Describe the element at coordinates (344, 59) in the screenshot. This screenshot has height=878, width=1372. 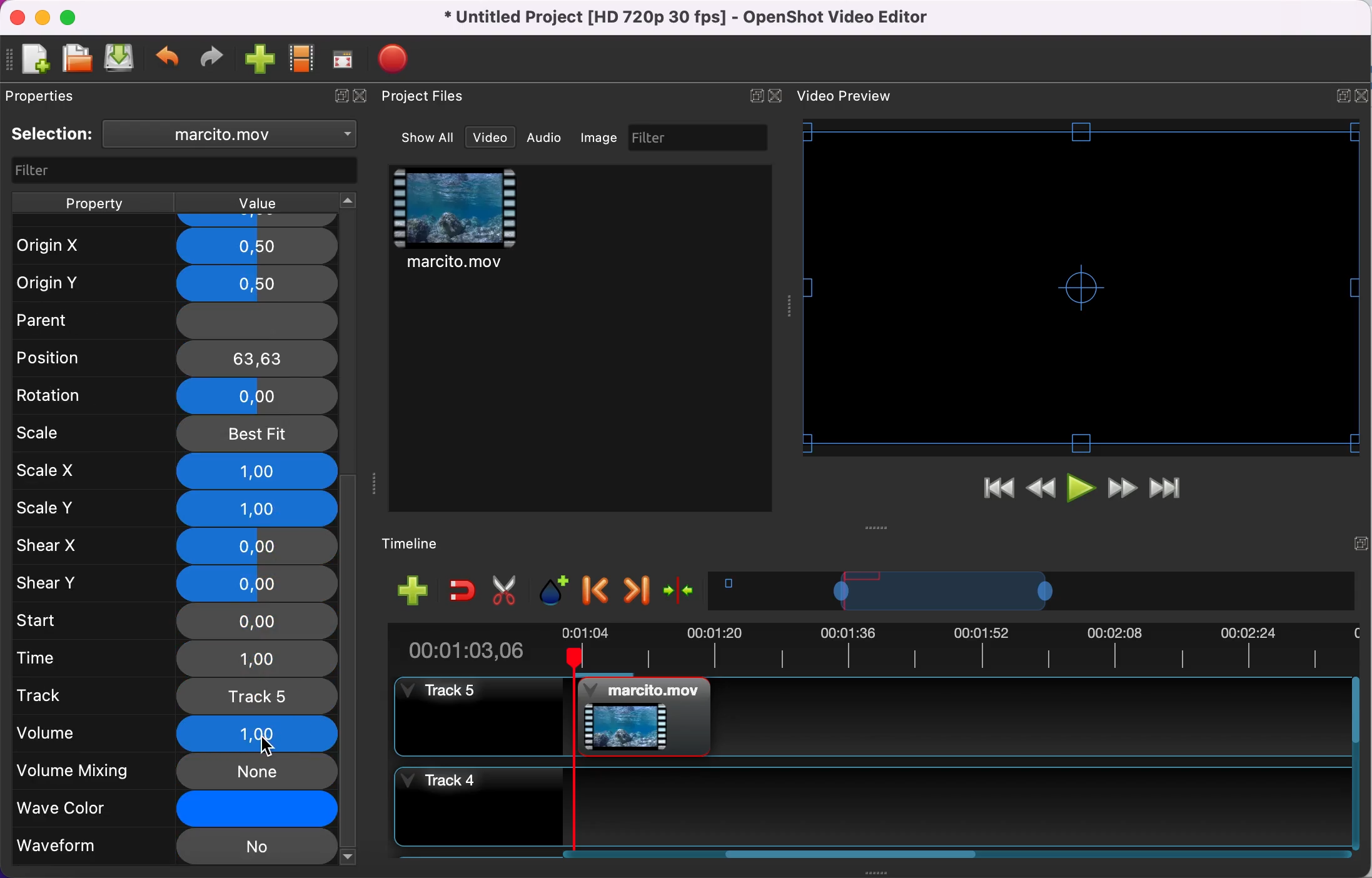
I see `fullscreen` at that location.